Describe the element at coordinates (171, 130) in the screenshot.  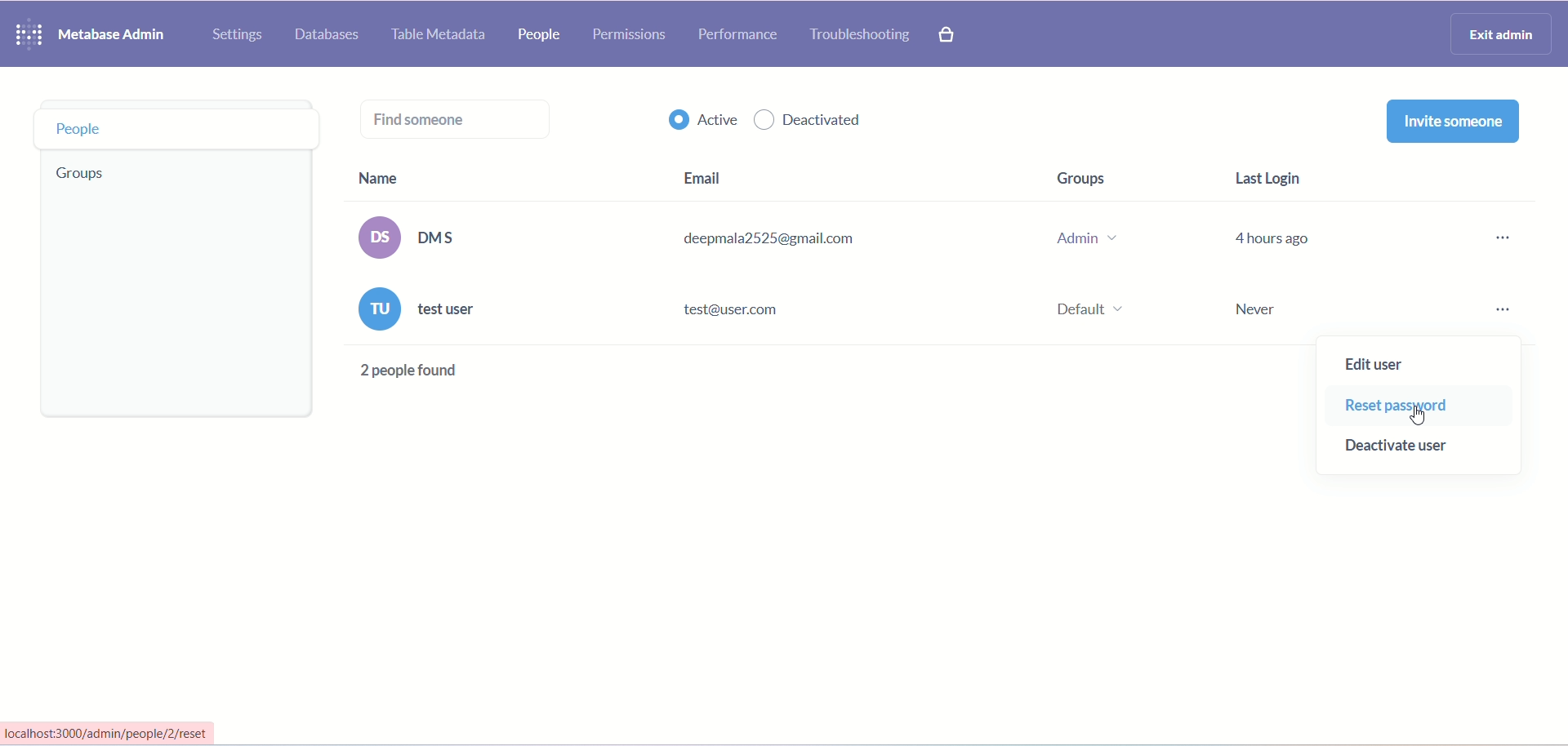
I see `people` at that location.